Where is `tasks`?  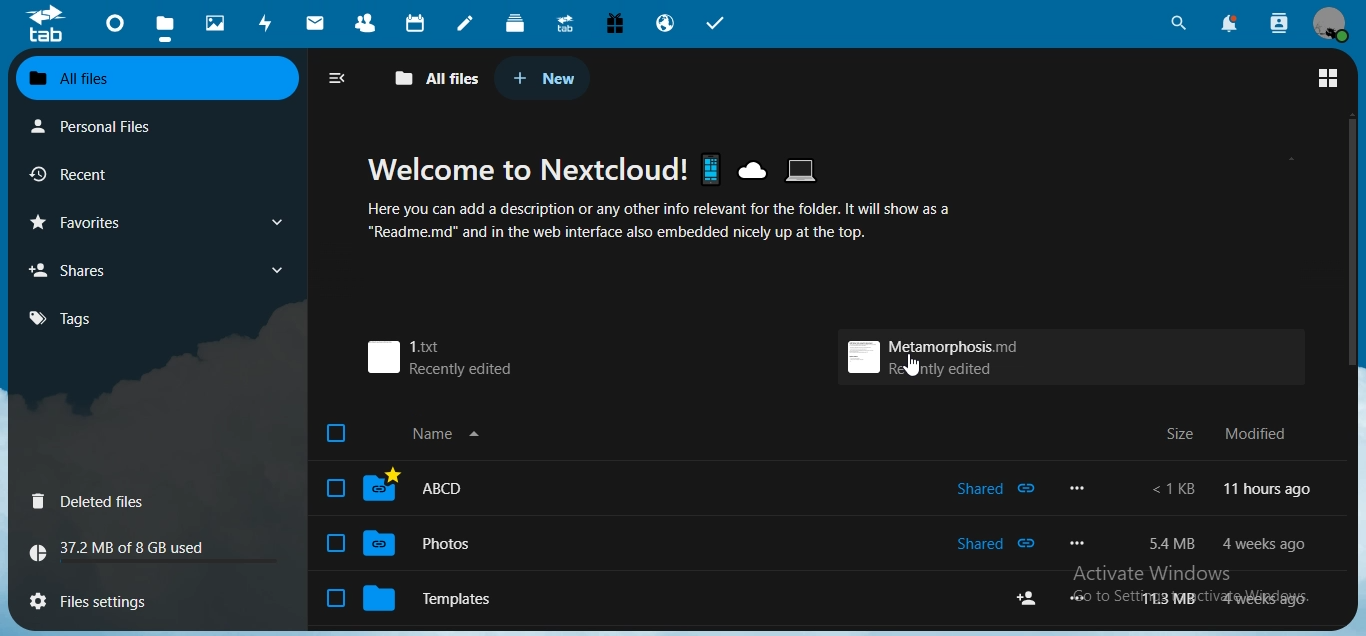
tasks is located at coordinates (719, 25).